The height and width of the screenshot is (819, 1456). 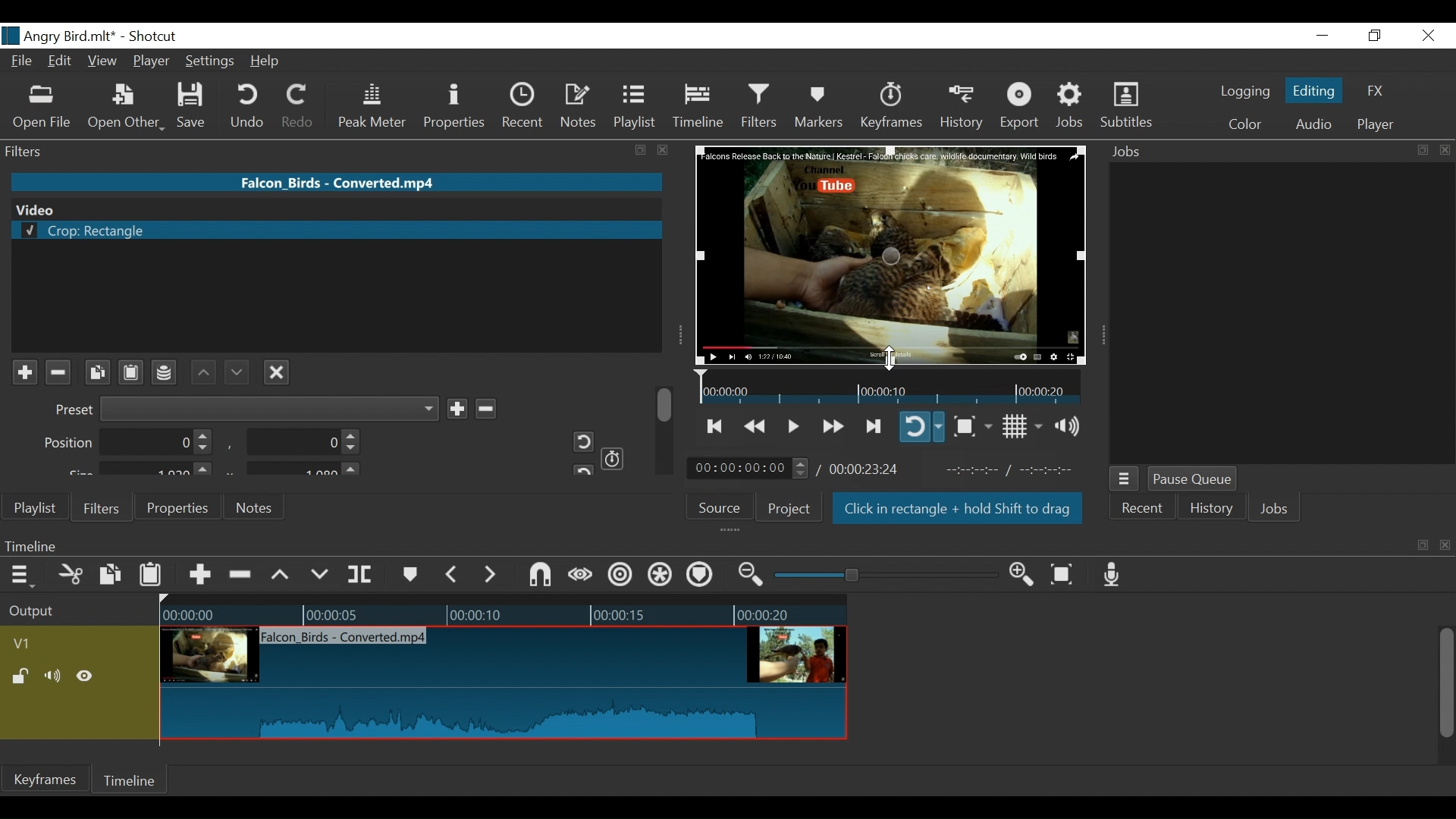 I want to click on Total Duration, so click(x=866, y=469).